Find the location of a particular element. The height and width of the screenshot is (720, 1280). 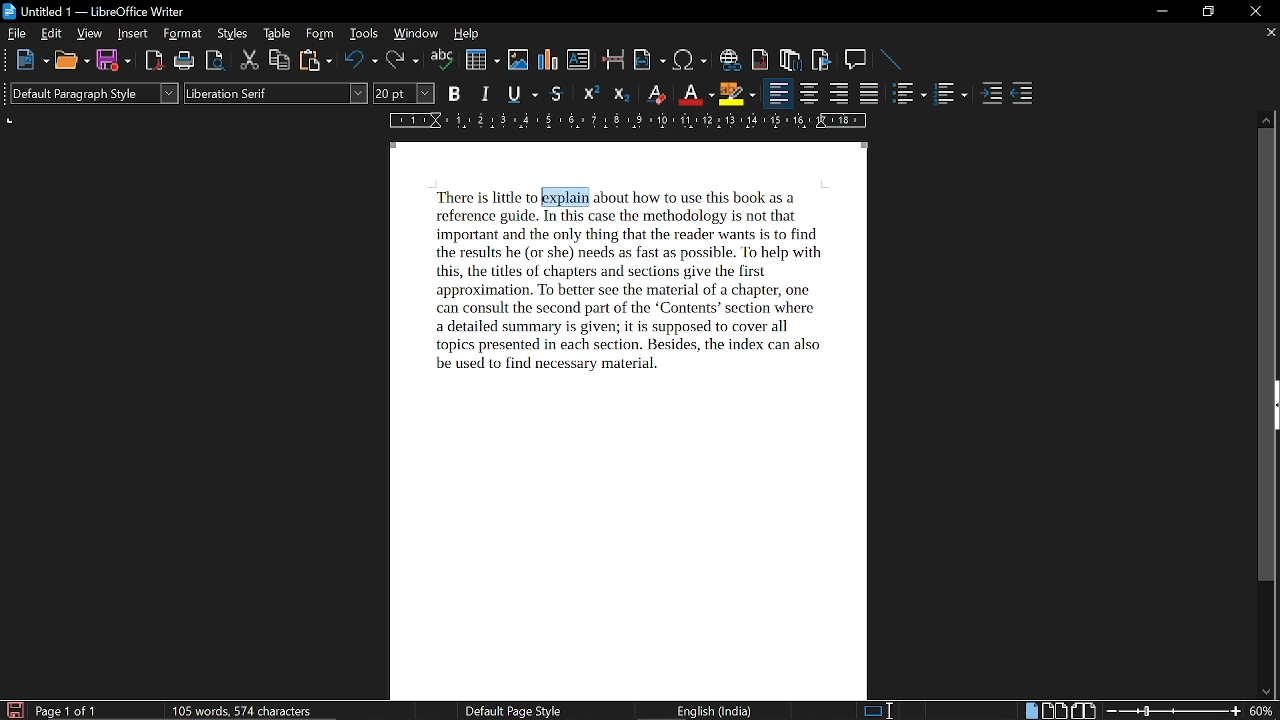

format is located at coordinates (184, 35).